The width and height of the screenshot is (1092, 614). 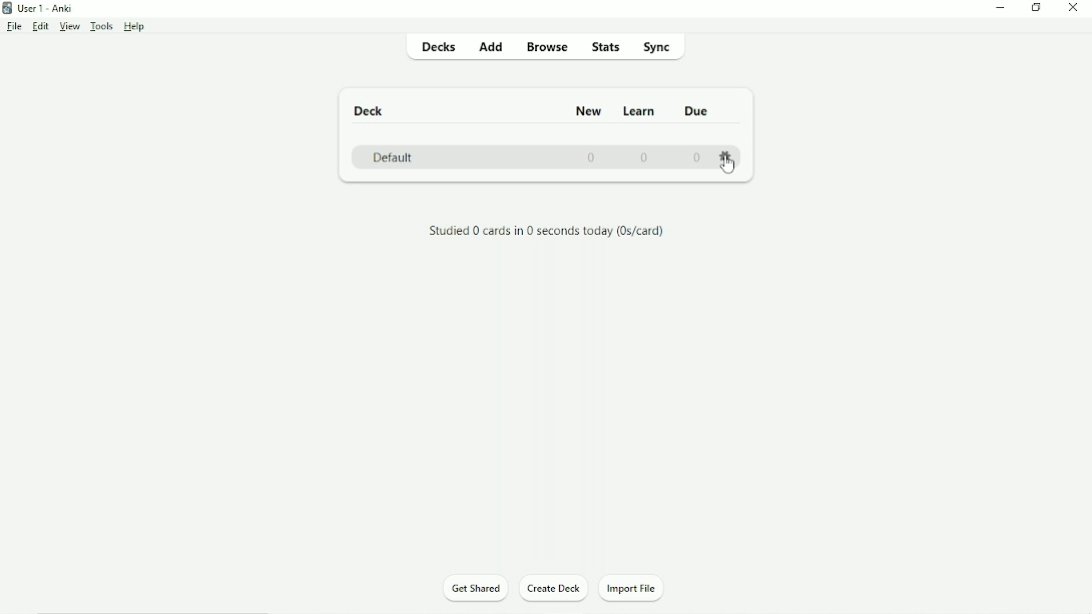 I want to click on Minimize, so click(x=999, y=9).